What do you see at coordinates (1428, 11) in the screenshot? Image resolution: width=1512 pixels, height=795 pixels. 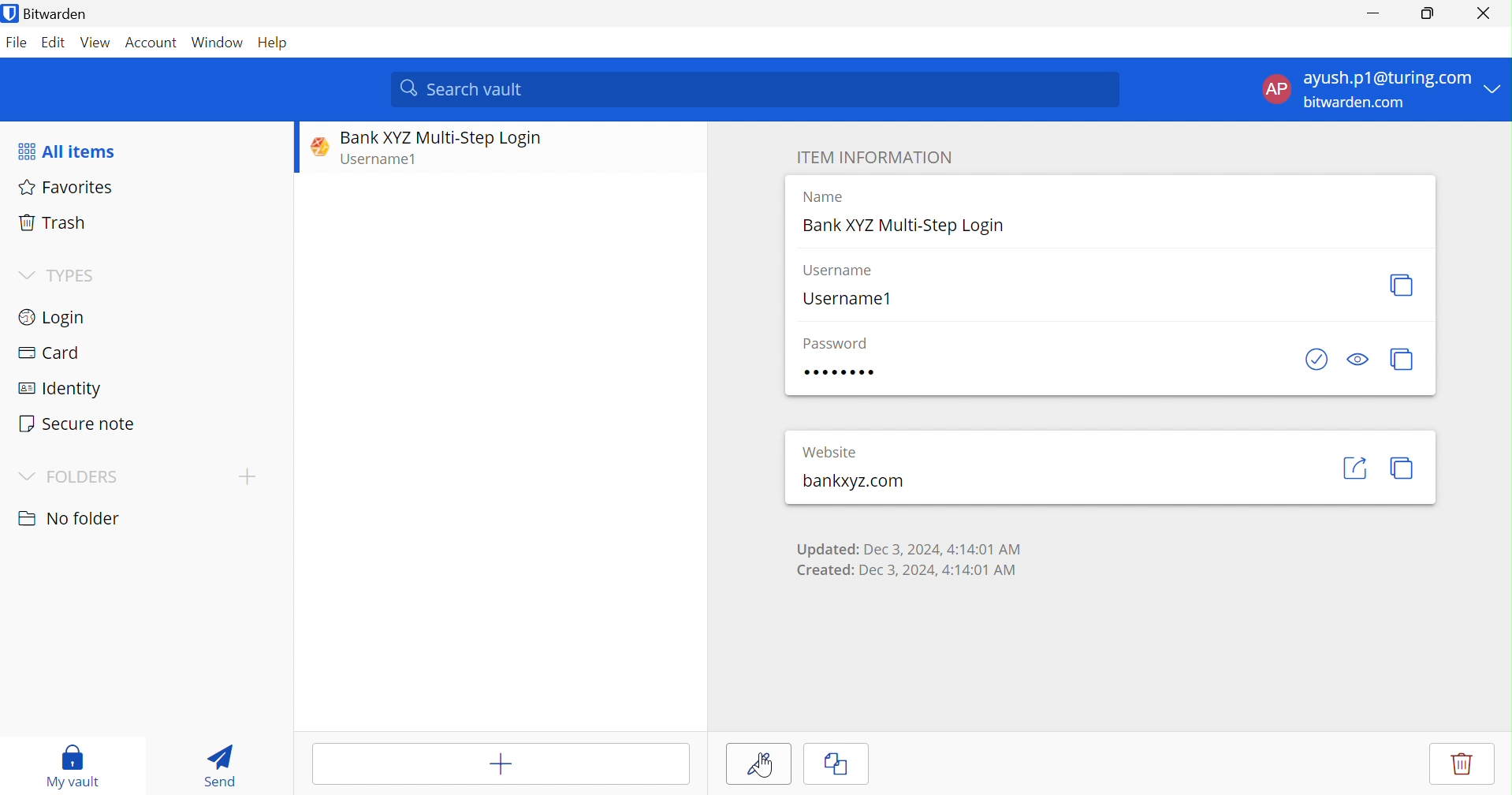 I see `Restore Down` at bounding box center [1428, 11].